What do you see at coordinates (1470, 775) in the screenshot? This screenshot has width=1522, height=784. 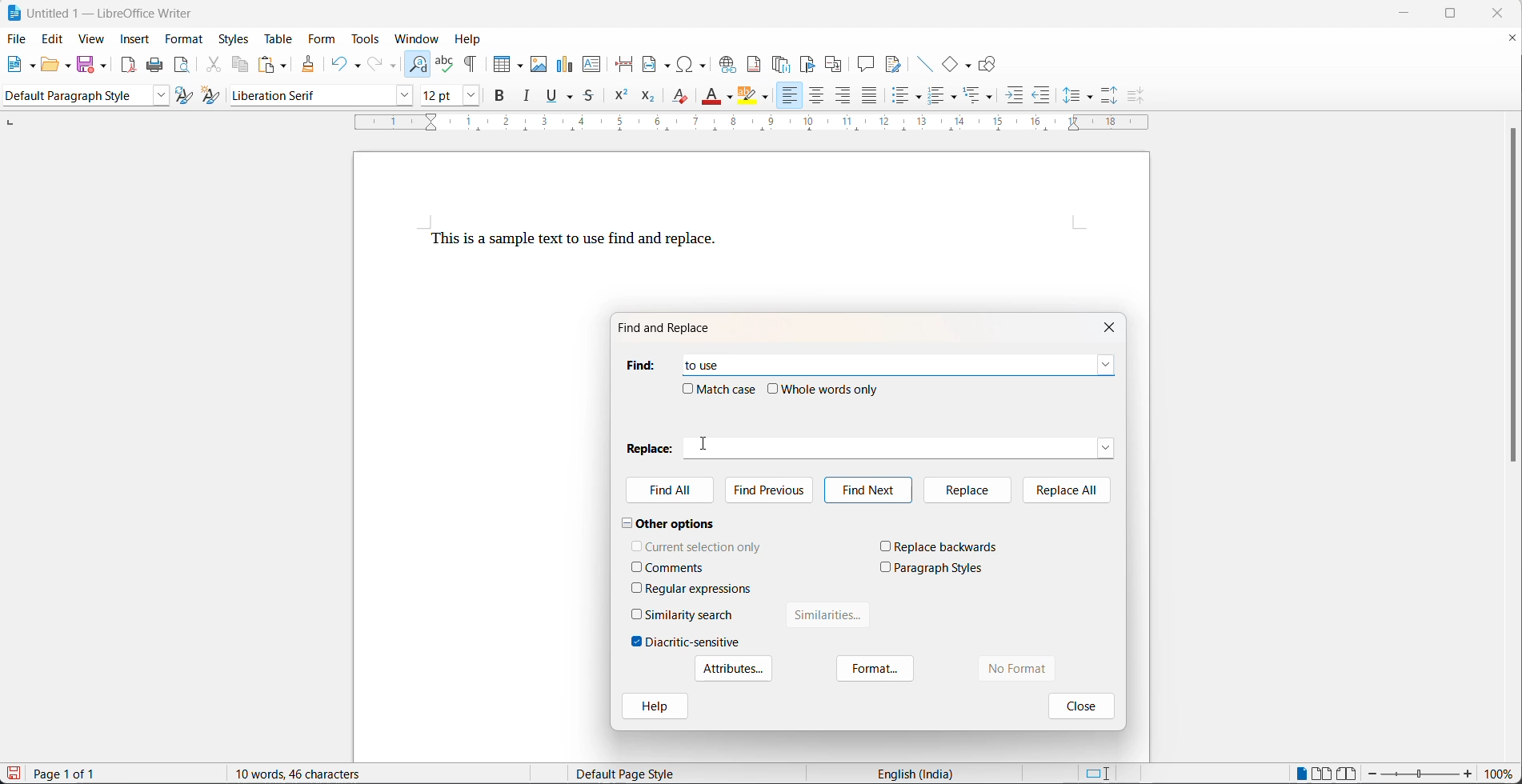 I see `increase zoom` at bounding box center [1470, 775].